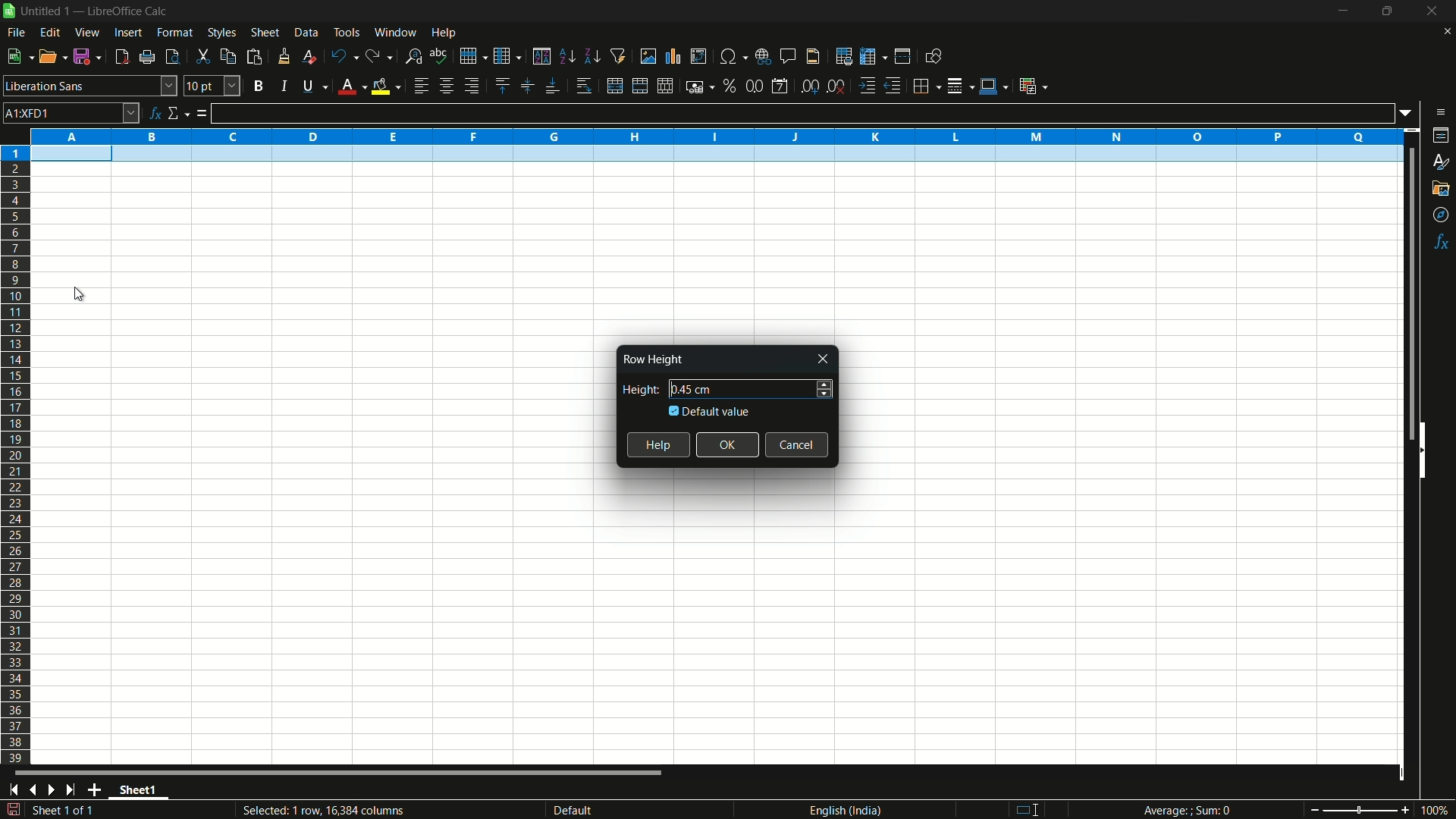 The width and height of the screenshot is (1456, 819). Describe the element at coordinates (1343, 11) in the screenshot. I see `minimize` at that location.